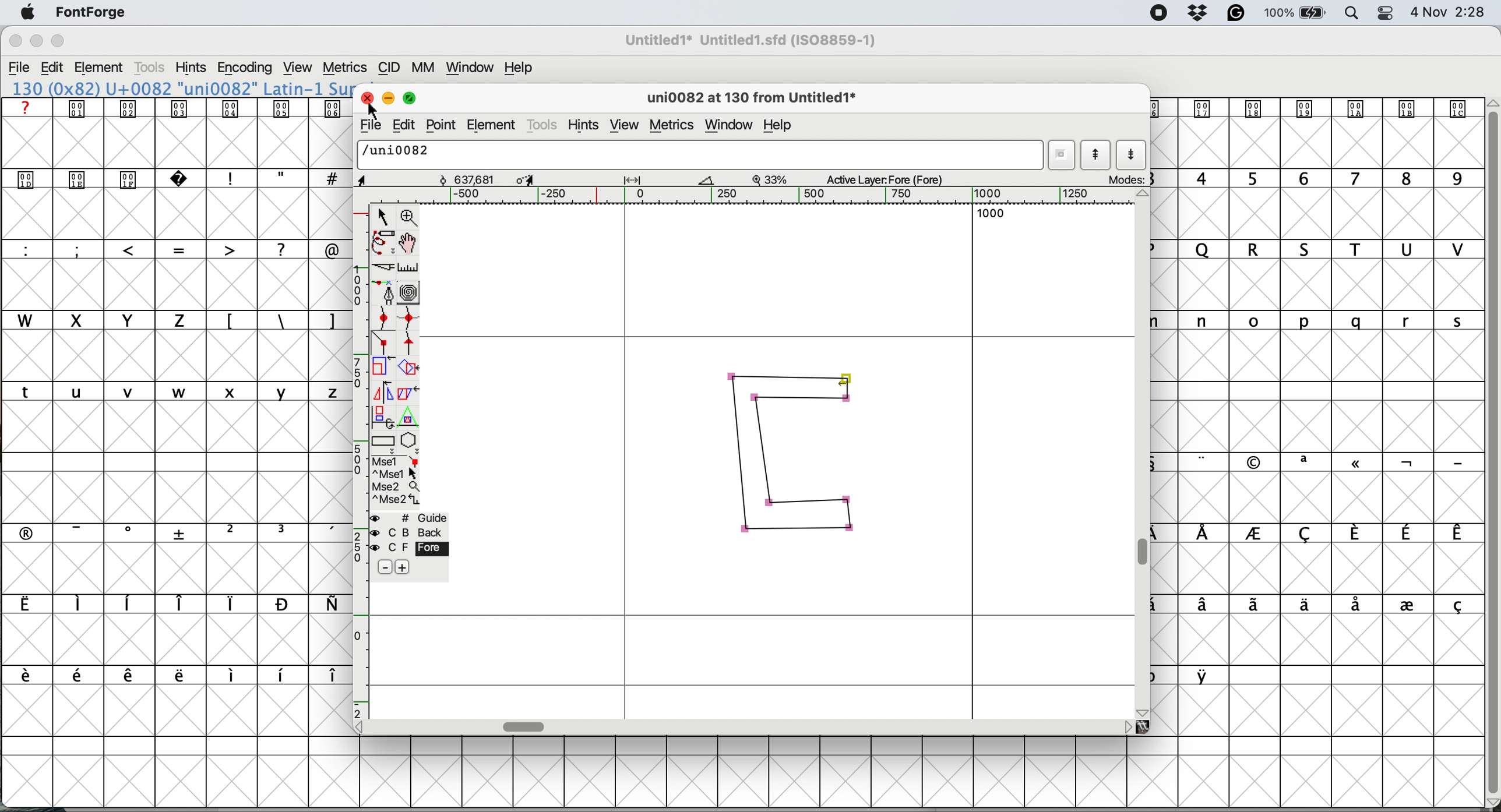 The width and height of the screenshot is (1501, 812). Describe the element at coordinates (1124, 179) in the screenshot. I see `mode` at that location.